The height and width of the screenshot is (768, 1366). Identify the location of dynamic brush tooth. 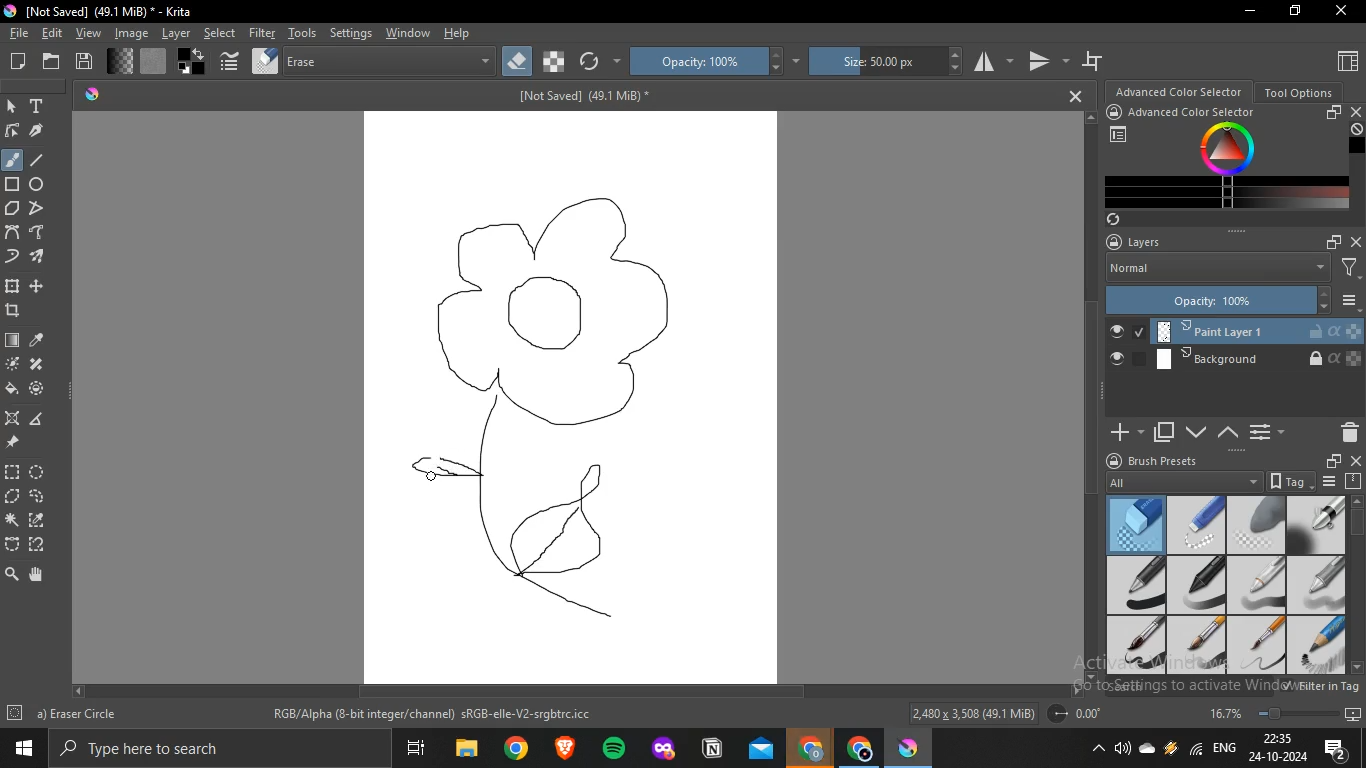
(13, 258).